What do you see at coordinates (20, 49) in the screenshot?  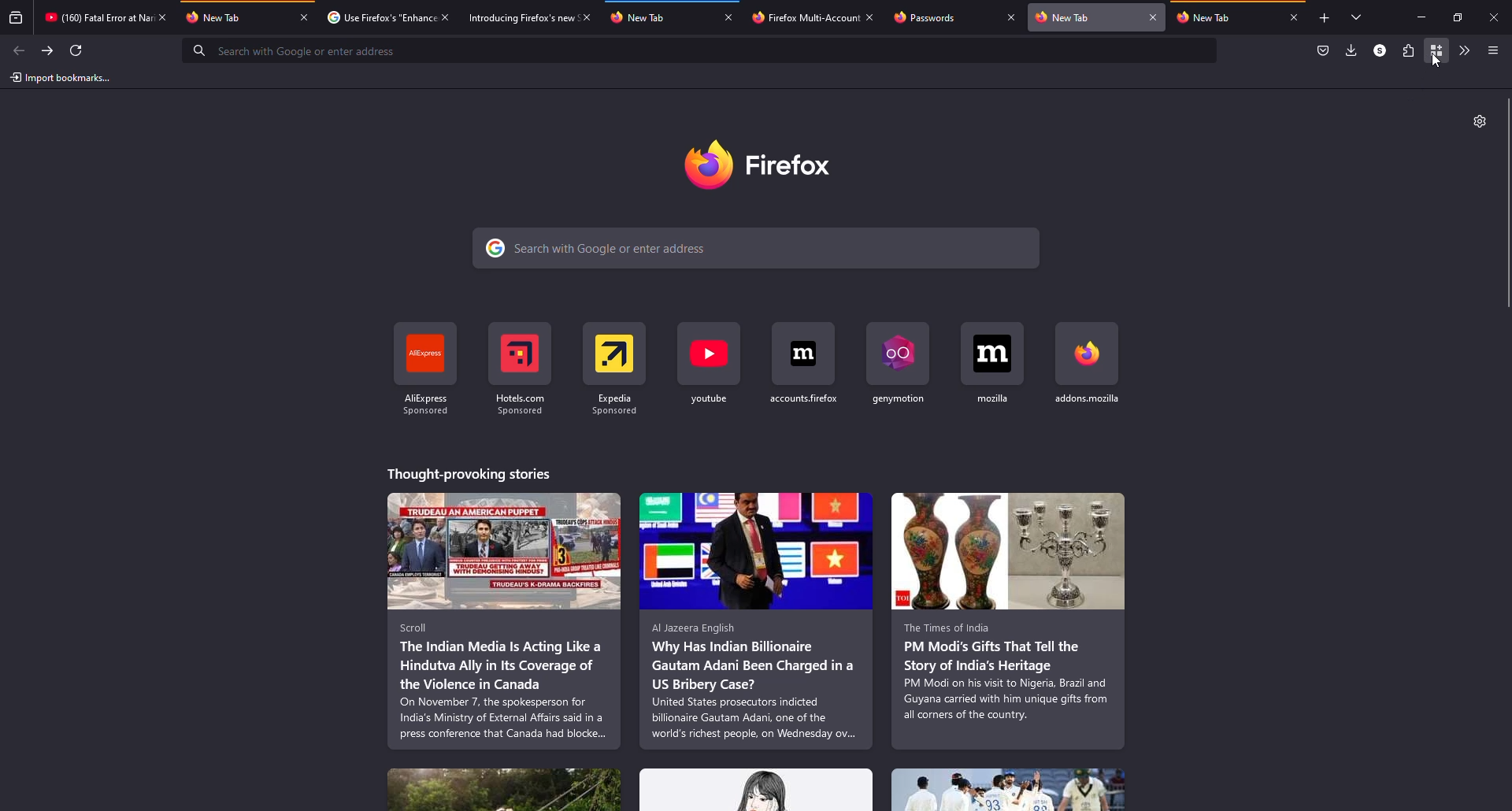 I see `back` at bounding box center [20, 49].